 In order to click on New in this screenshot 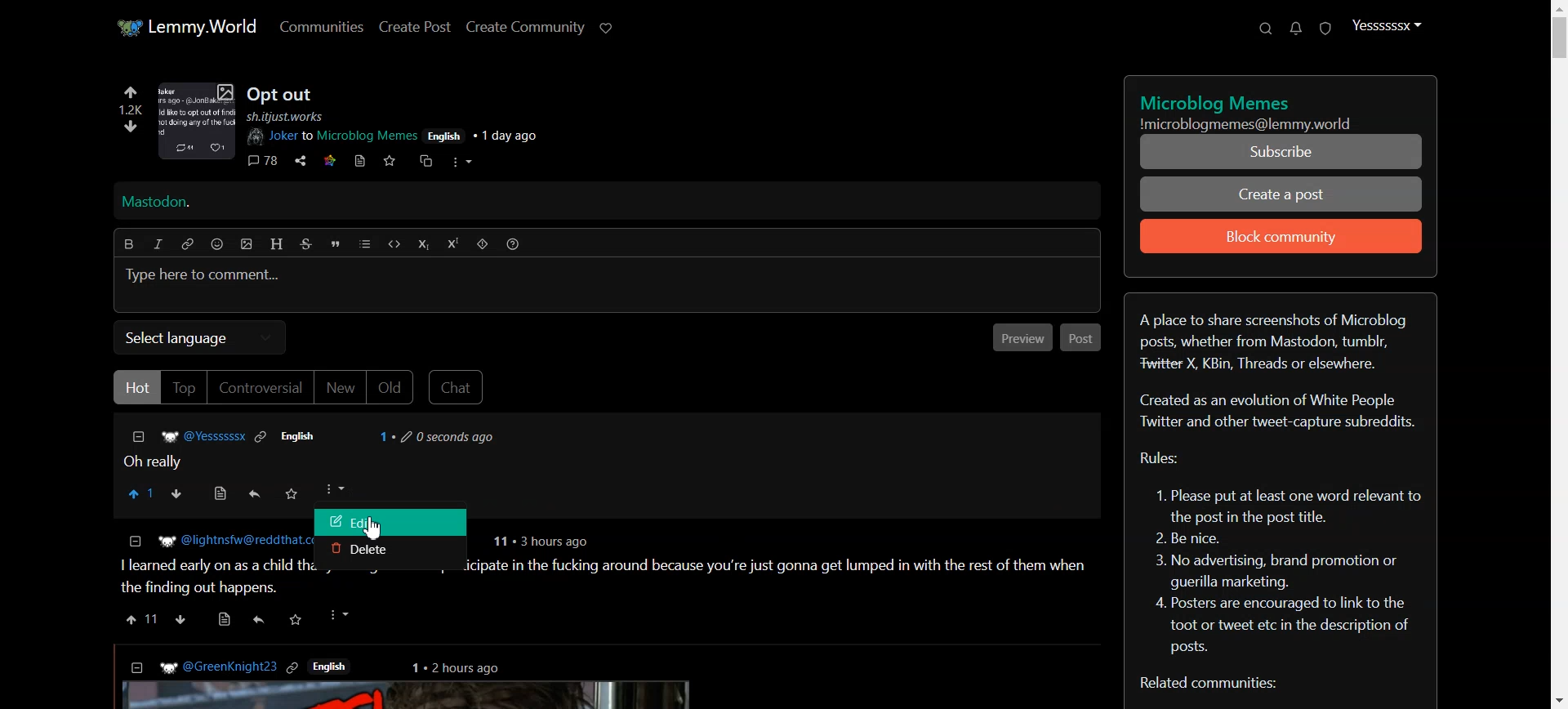, I will do `click(341, 388)`.